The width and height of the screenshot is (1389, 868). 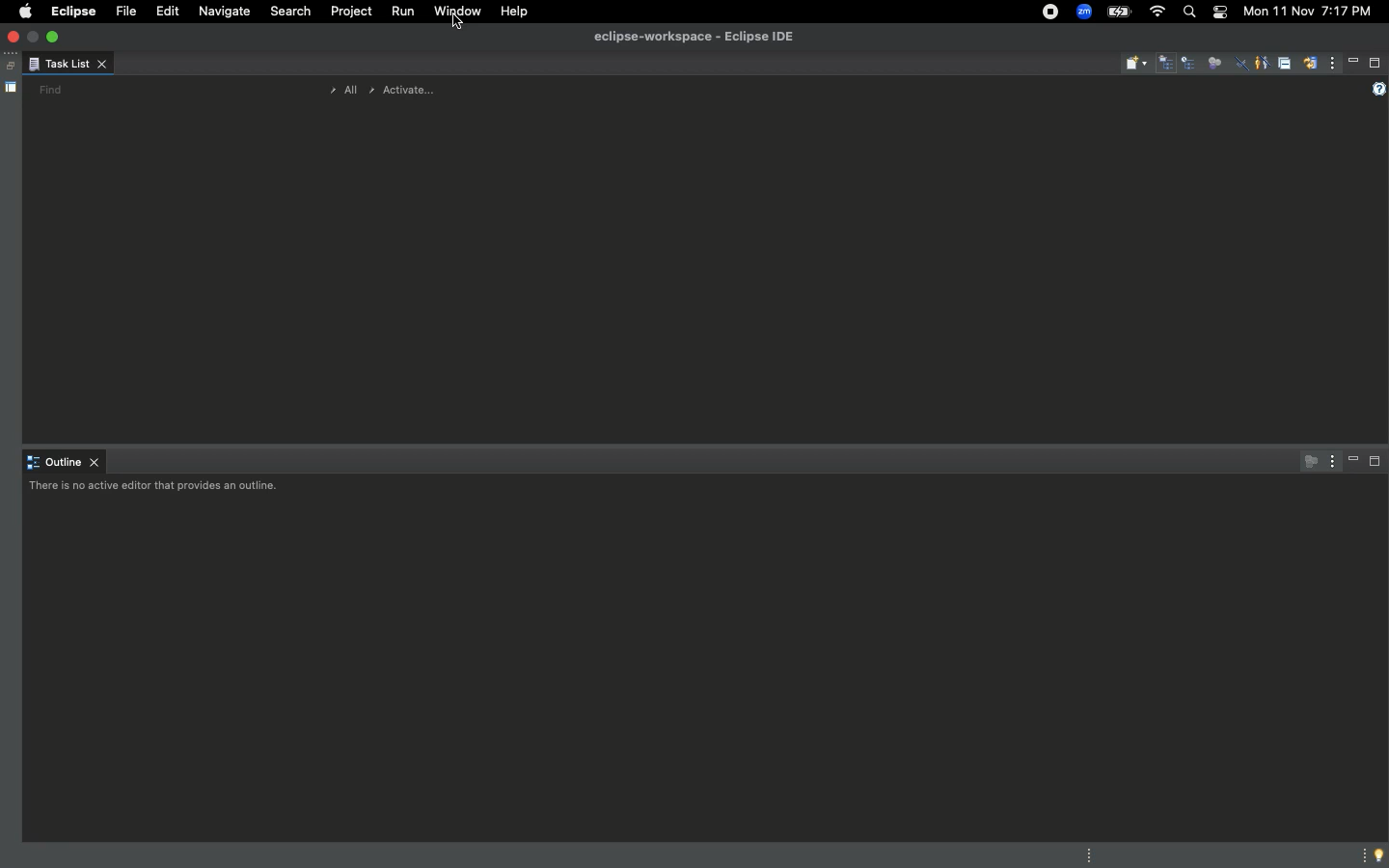 I want to click on maximize, so click(x=55, y=36).